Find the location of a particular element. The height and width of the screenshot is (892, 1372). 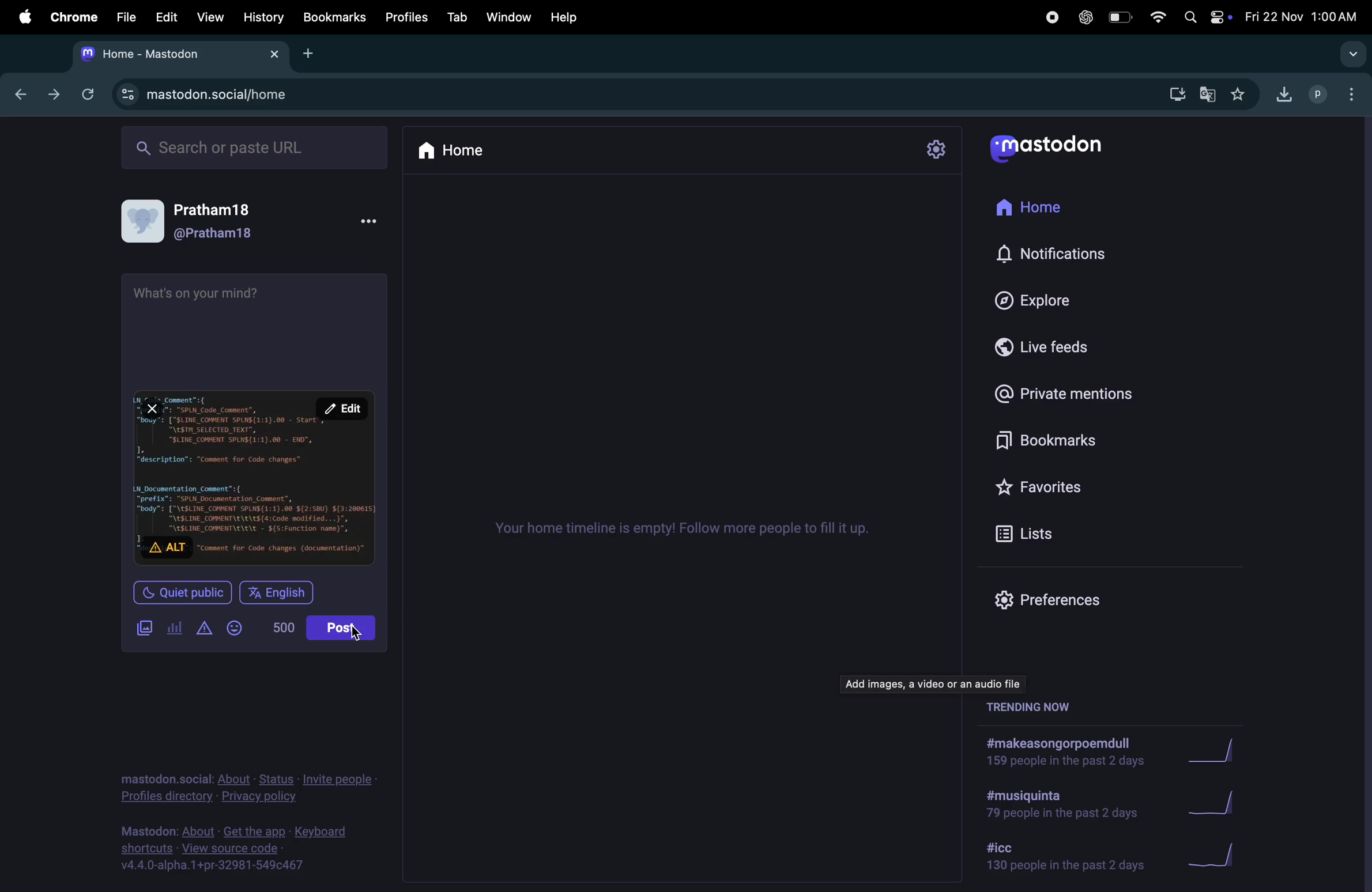

private mentions is located at coordinates (1080, 390).